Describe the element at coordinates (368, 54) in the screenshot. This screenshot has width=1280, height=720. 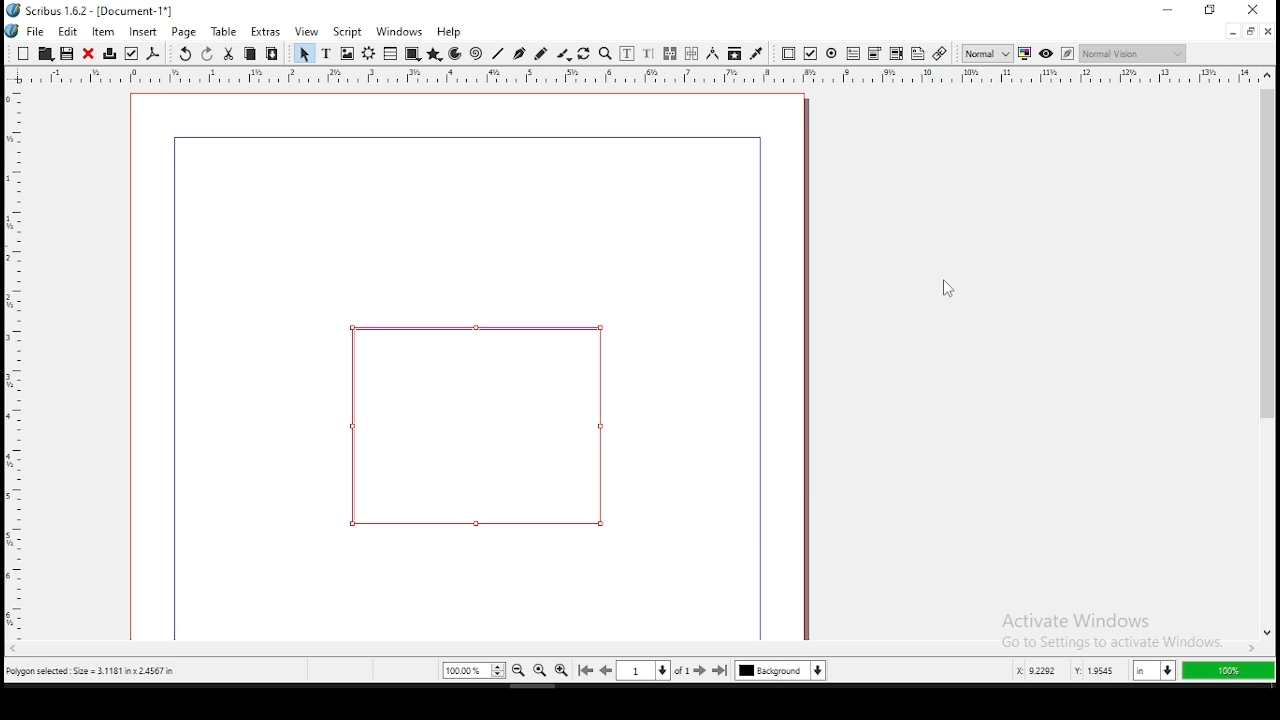
I see `render frame` at that location.